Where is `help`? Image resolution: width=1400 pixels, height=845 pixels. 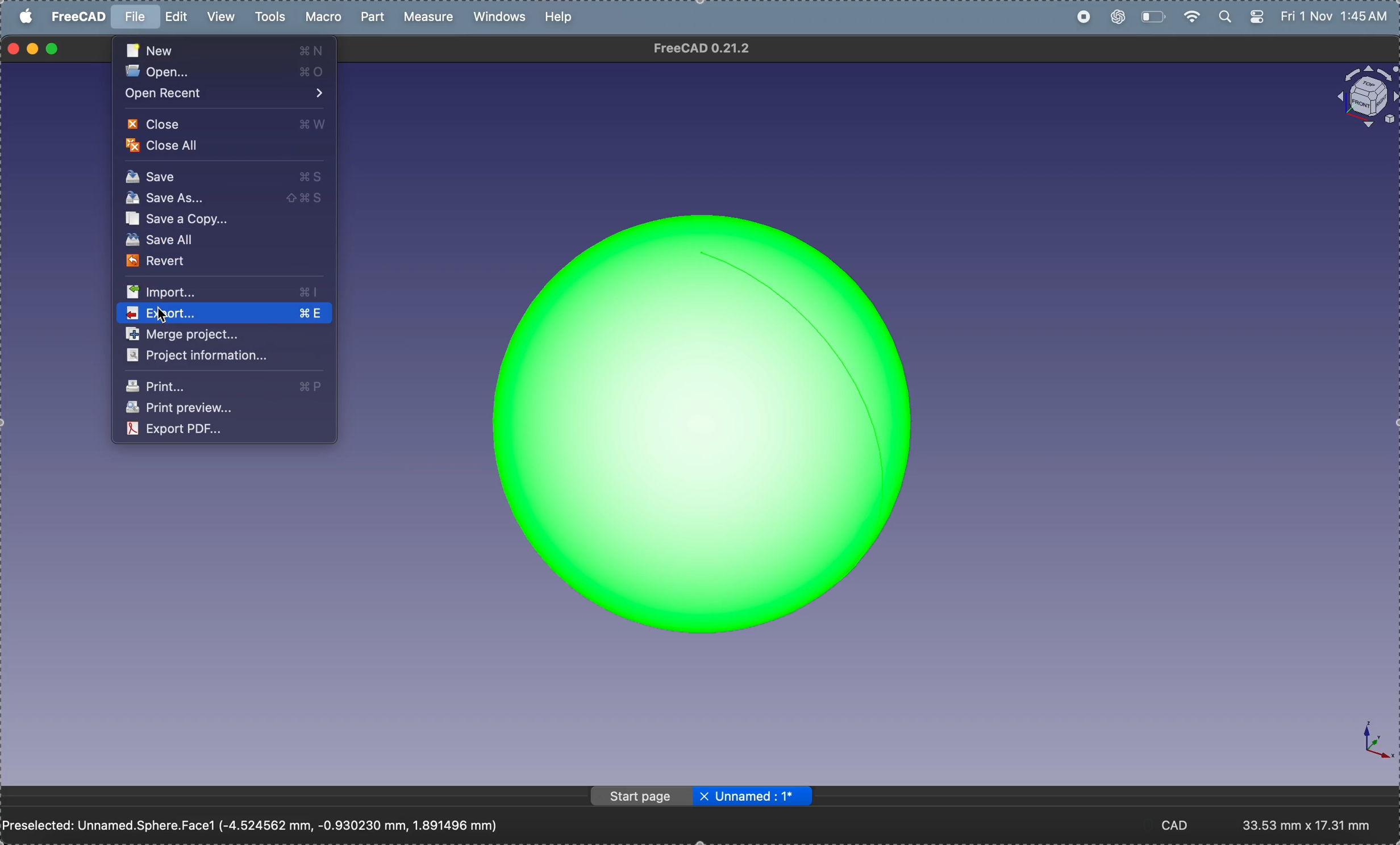
help is located at coordinates (561, 16).